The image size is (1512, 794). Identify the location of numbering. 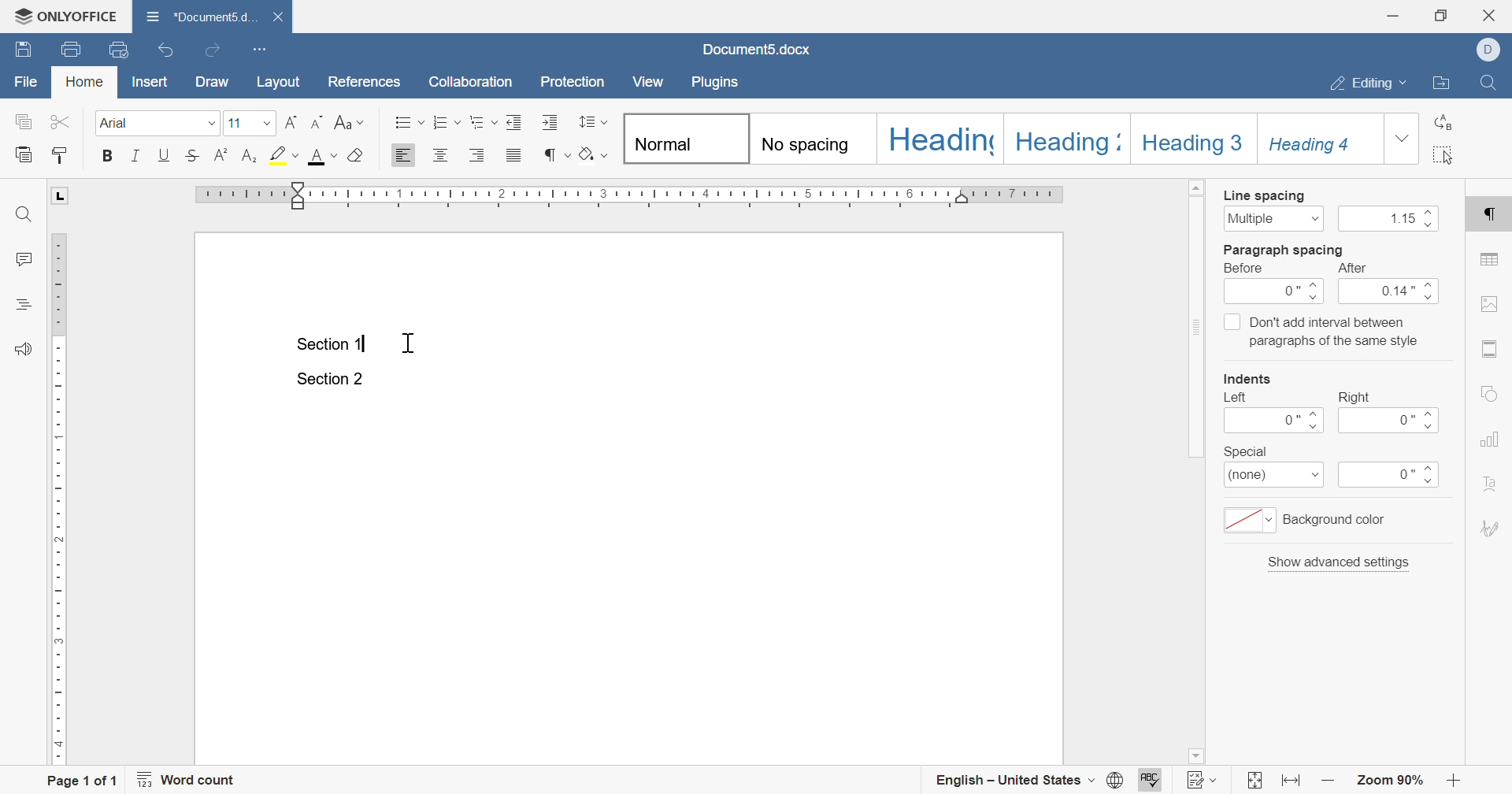
(447, 123).